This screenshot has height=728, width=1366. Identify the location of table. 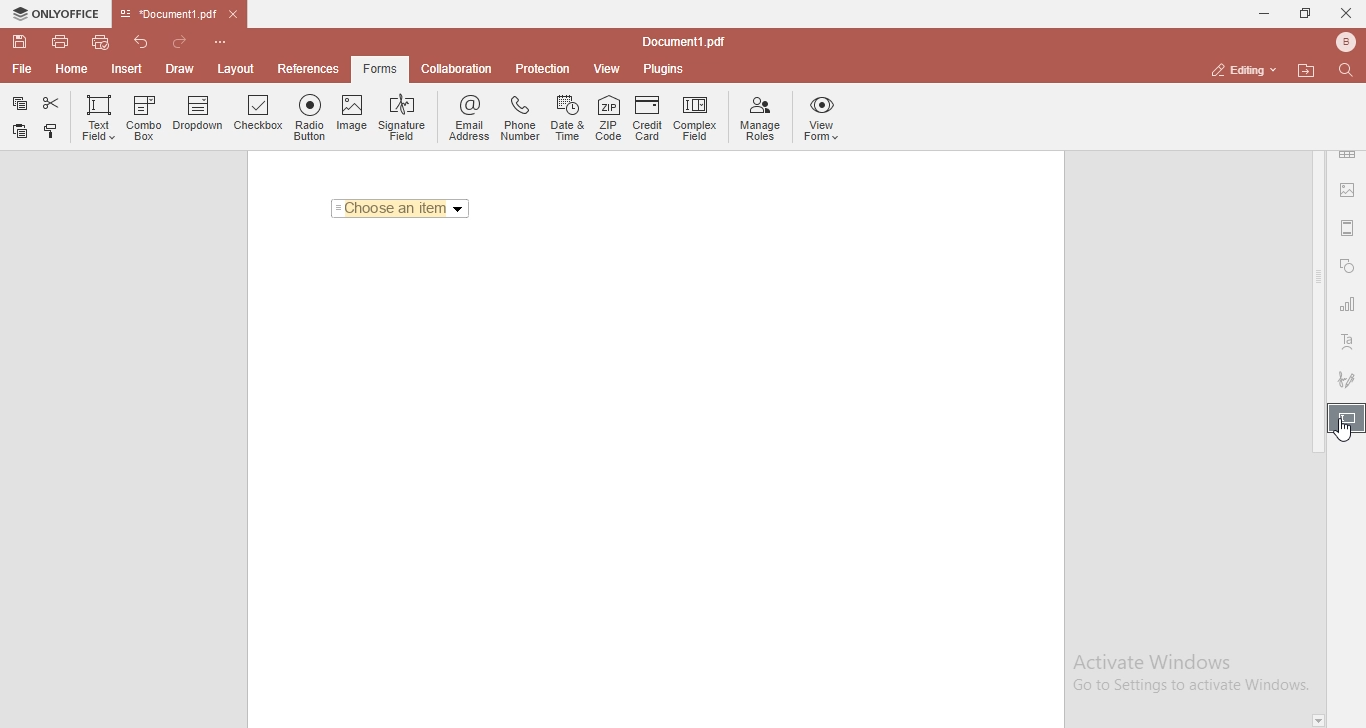
(1348, 157).